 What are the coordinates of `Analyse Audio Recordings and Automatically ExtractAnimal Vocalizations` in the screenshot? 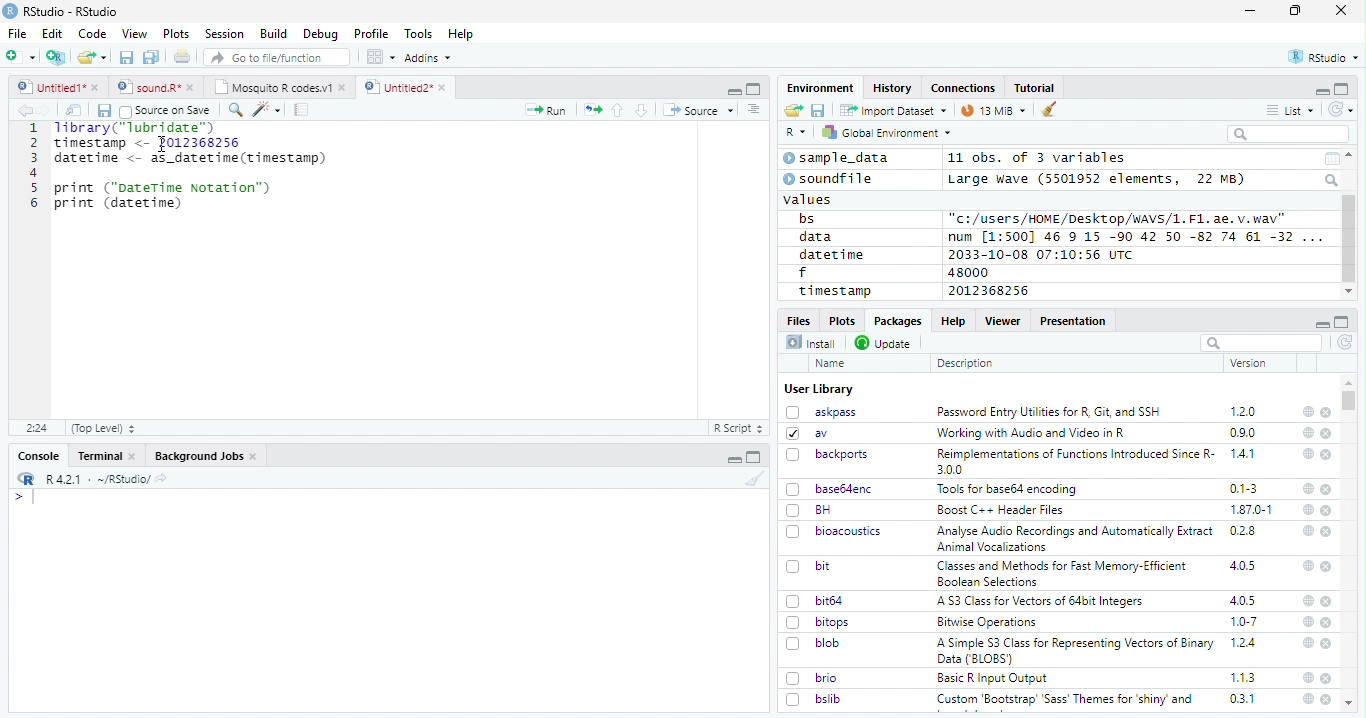 It's located at (1071, 538).